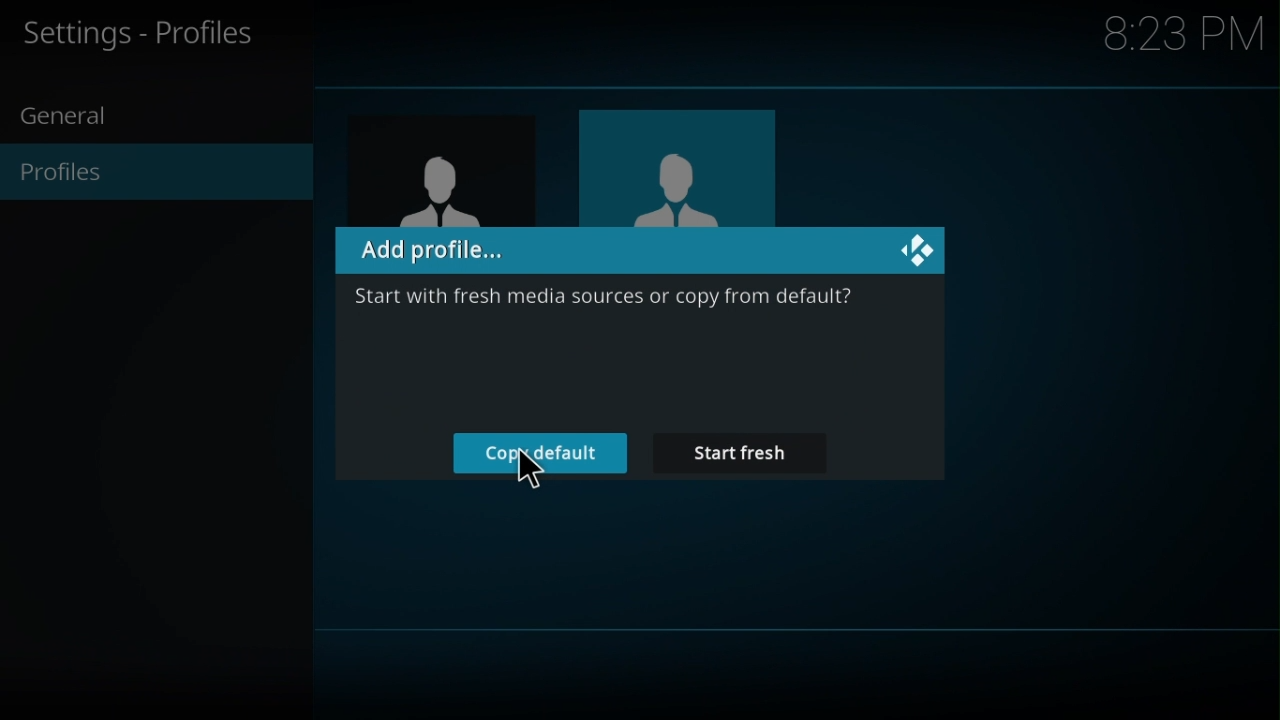 The height and width of the screenshot is (720, 1280). What do you see at coordinates (150, 35) in the screenshot?
I see `Settings - Profiles` at bounding box center [150, 35].